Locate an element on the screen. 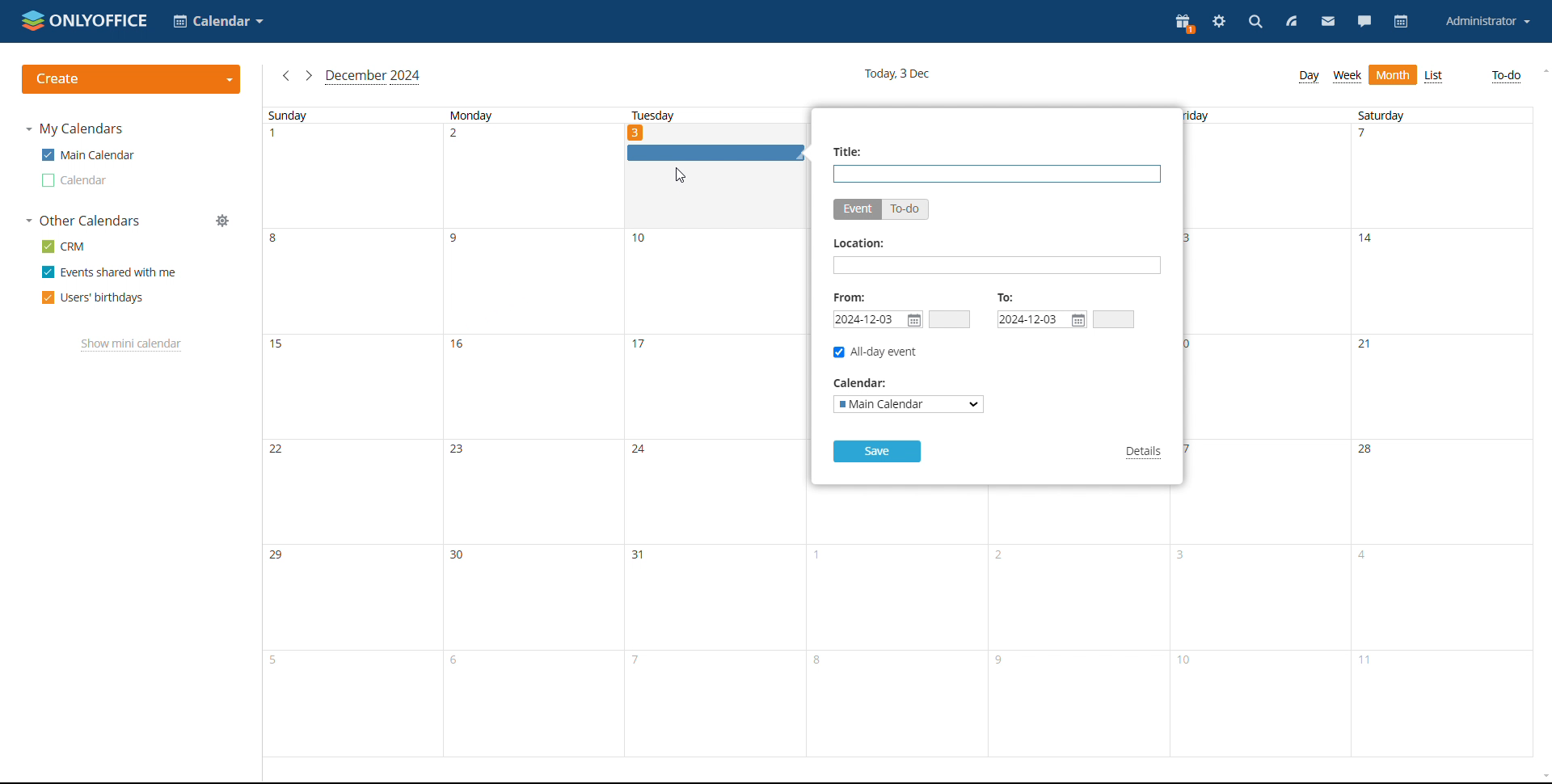 This screenshot has height=784, width=1552. logo is located at coordinates (85, 20).